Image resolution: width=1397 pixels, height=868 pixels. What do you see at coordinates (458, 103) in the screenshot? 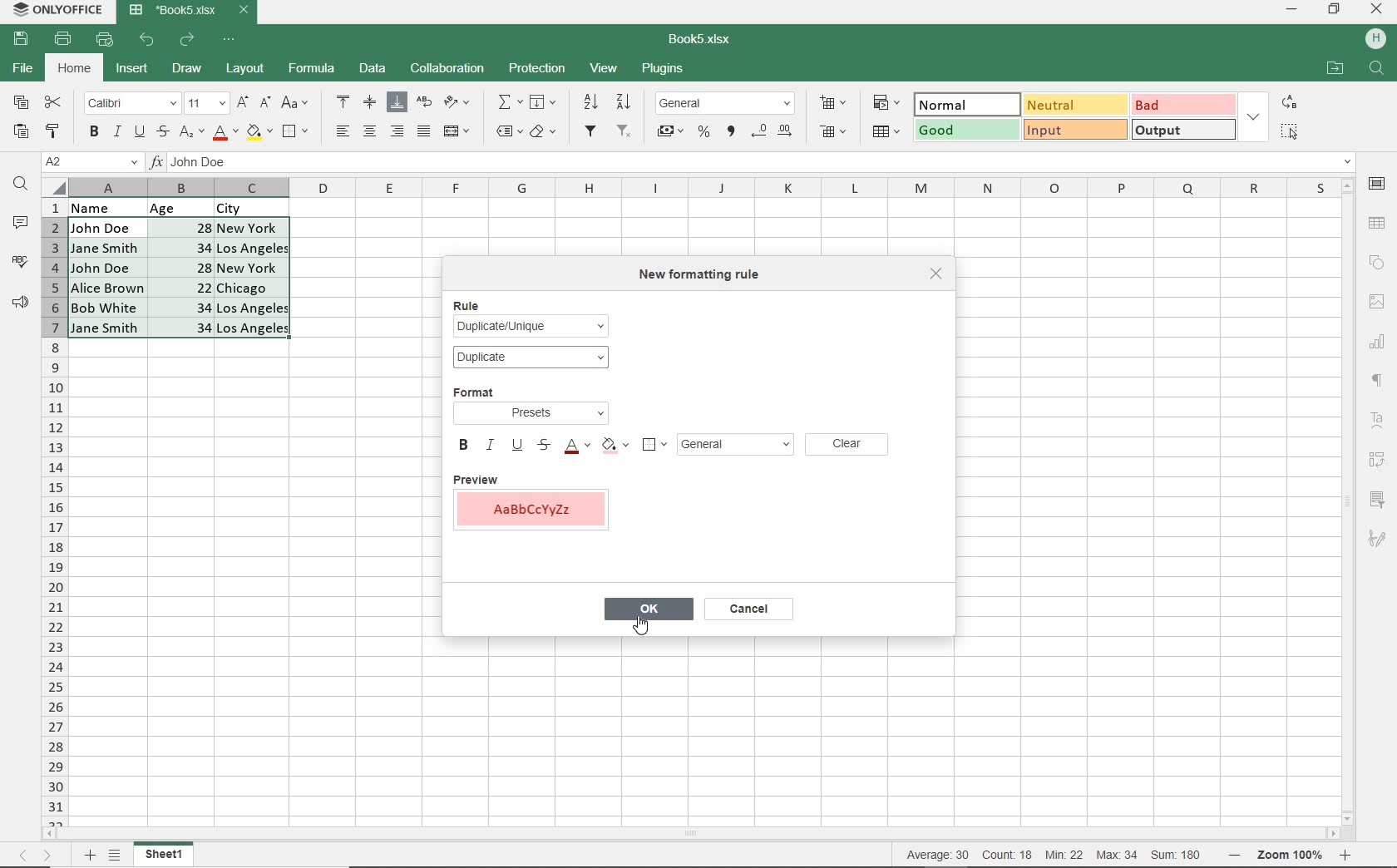
I see `ORIENTATION` at bounding box center [458, 103].